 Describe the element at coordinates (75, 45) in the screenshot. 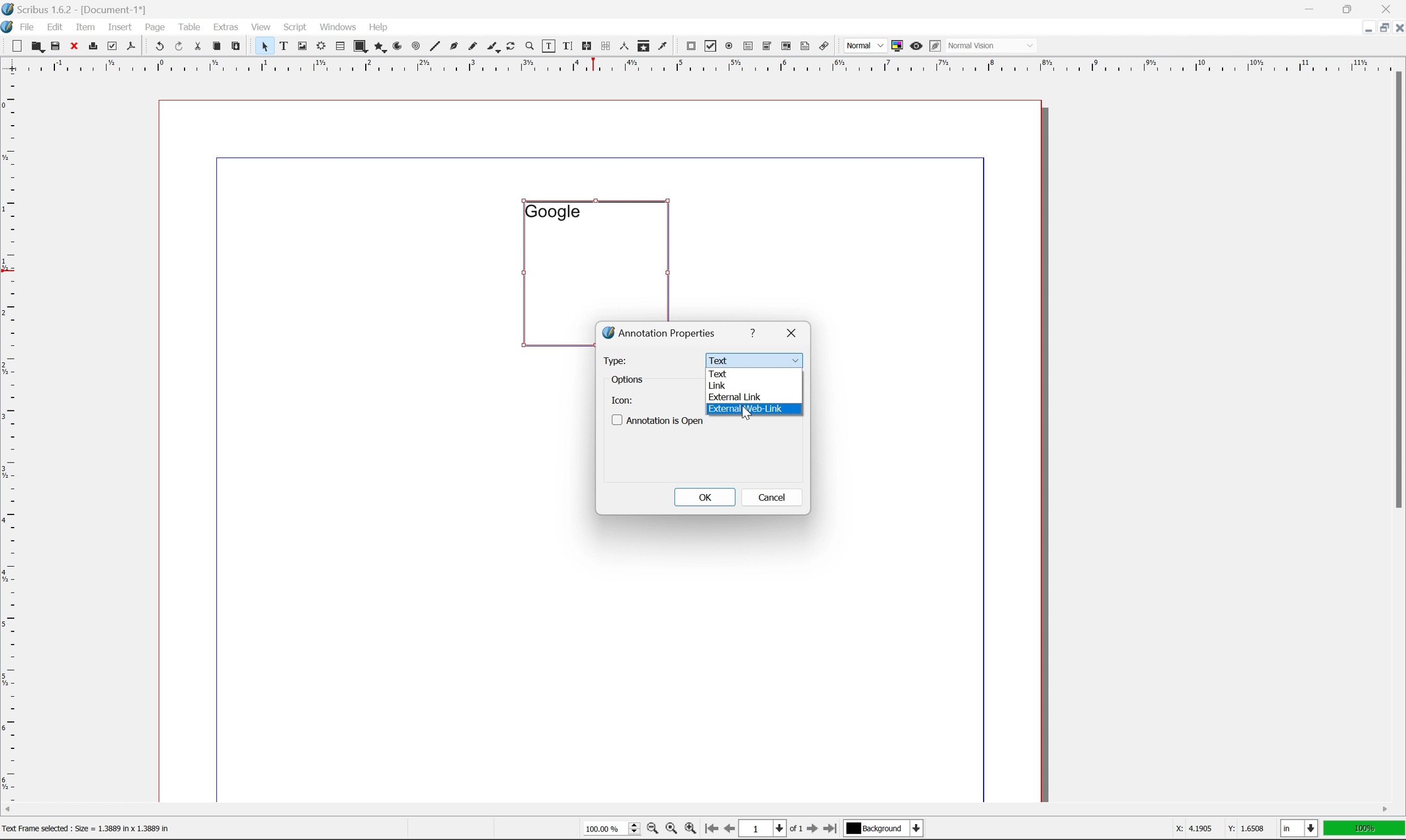

I see `close` at that location.